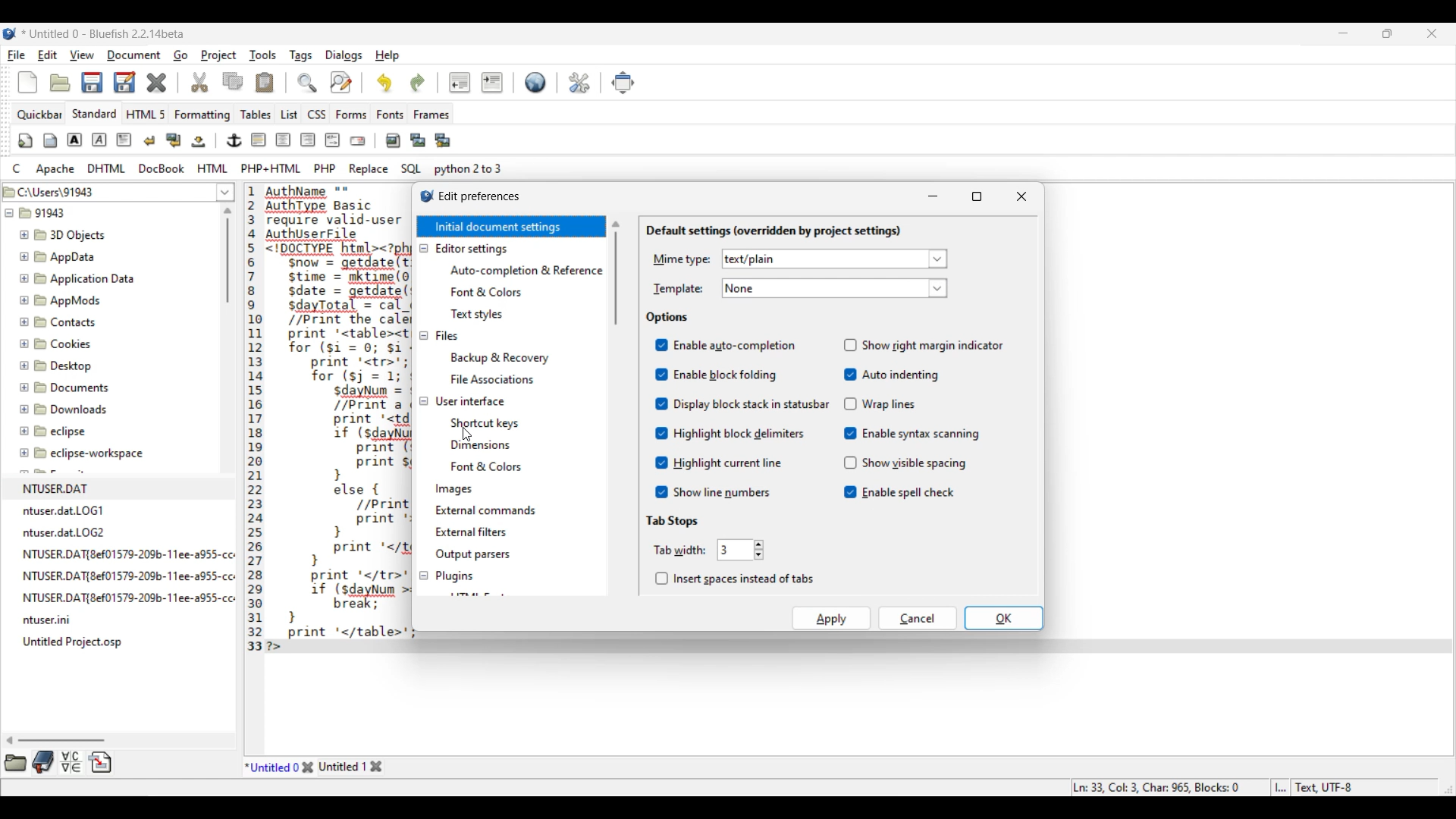 This screenshot has width=1456, height=819. Describe the element at coordinates (351, 115) in the screenshot. I see `Forms` at that location.